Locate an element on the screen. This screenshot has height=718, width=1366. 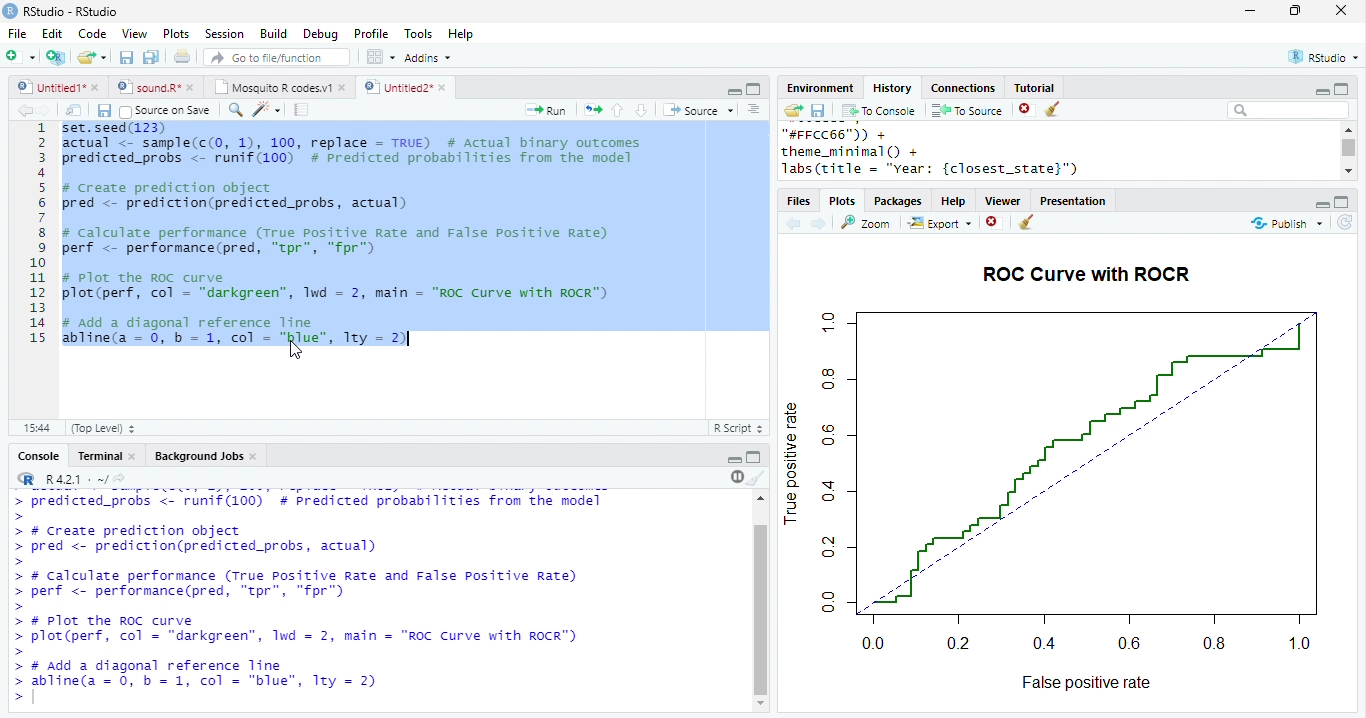
Mosquito R codes.v1 is located at coordinates (273, 87).